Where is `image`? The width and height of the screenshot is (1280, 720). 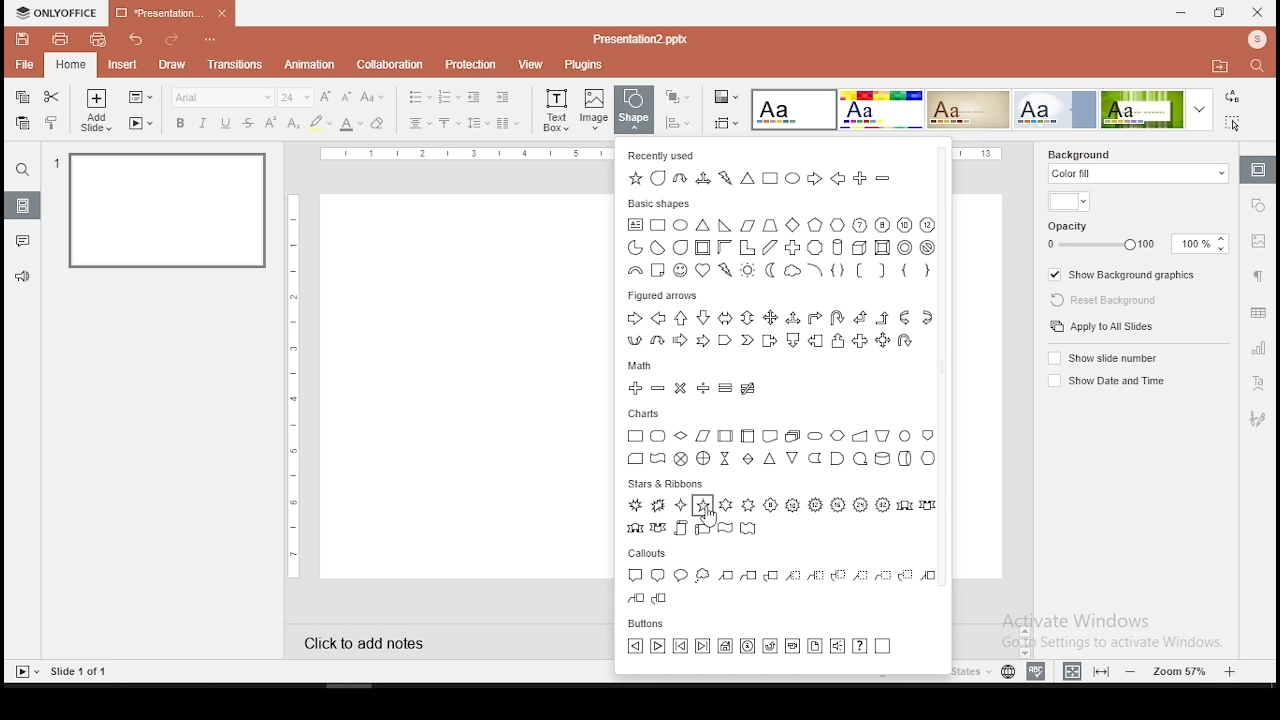 image is located at coordinates (595, 109).